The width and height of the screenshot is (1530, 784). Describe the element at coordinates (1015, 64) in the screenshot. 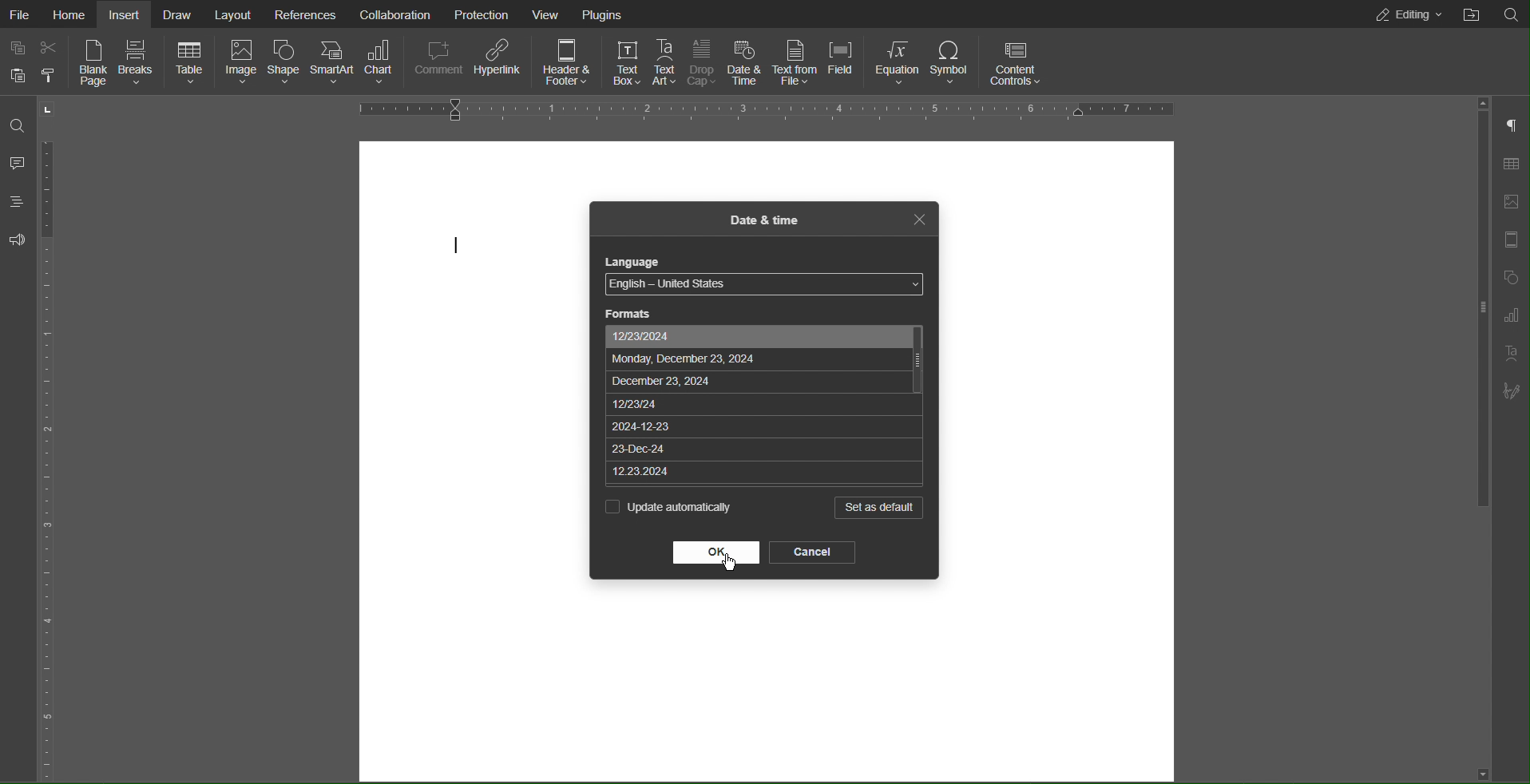

I see `Content Controls` at that location.